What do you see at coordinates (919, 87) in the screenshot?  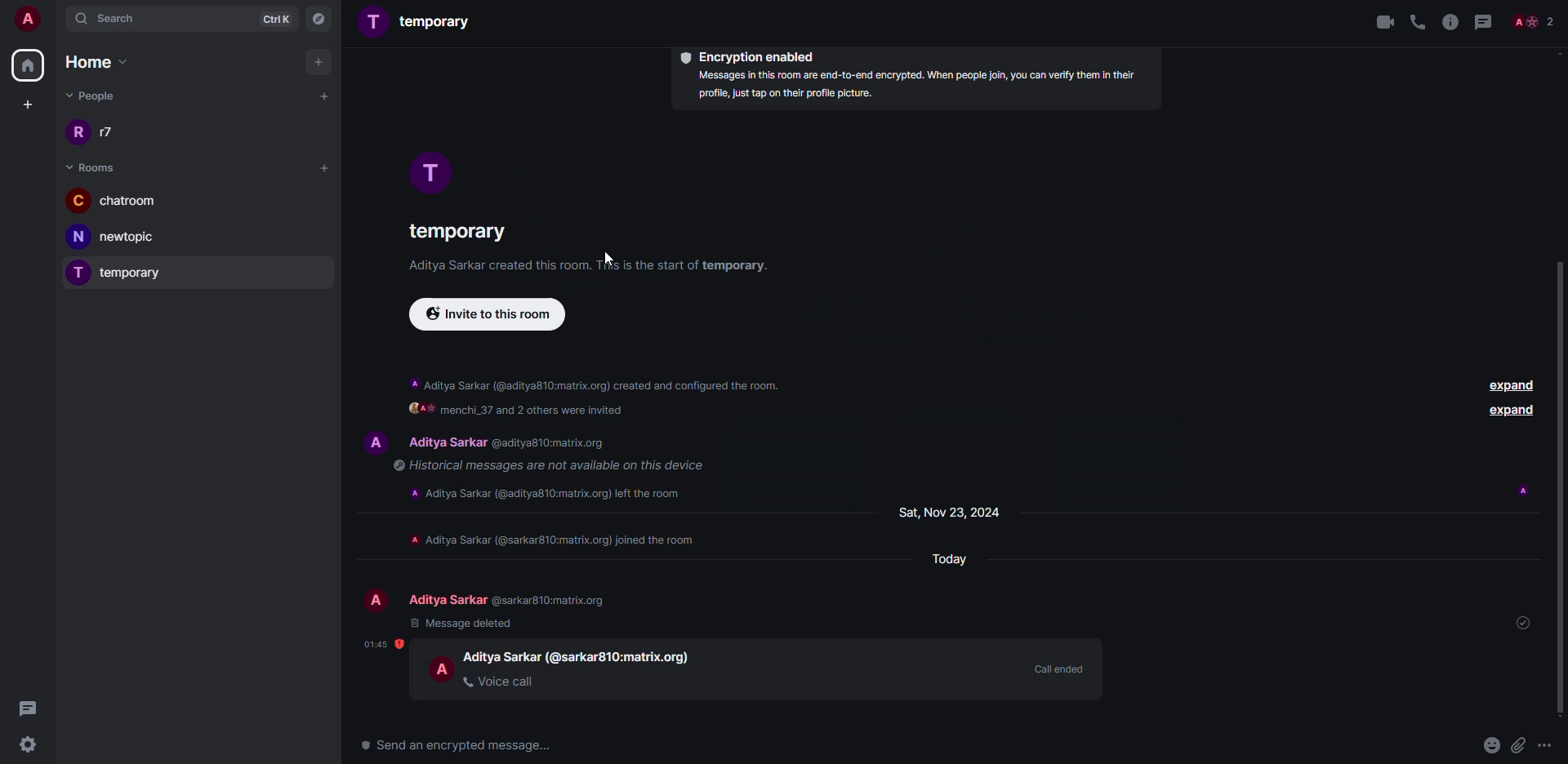 I see `info` at bounding box center [919, 87].